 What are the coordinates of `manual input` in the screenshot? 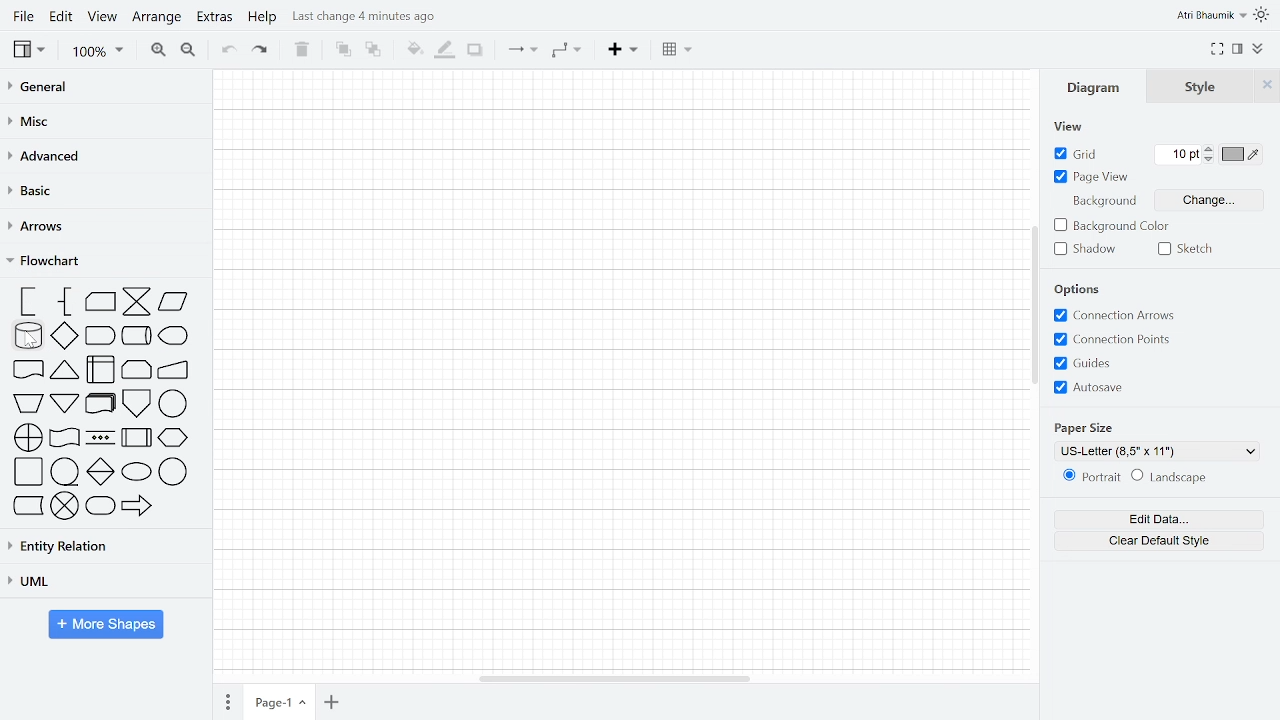 It's located at (174, 371).